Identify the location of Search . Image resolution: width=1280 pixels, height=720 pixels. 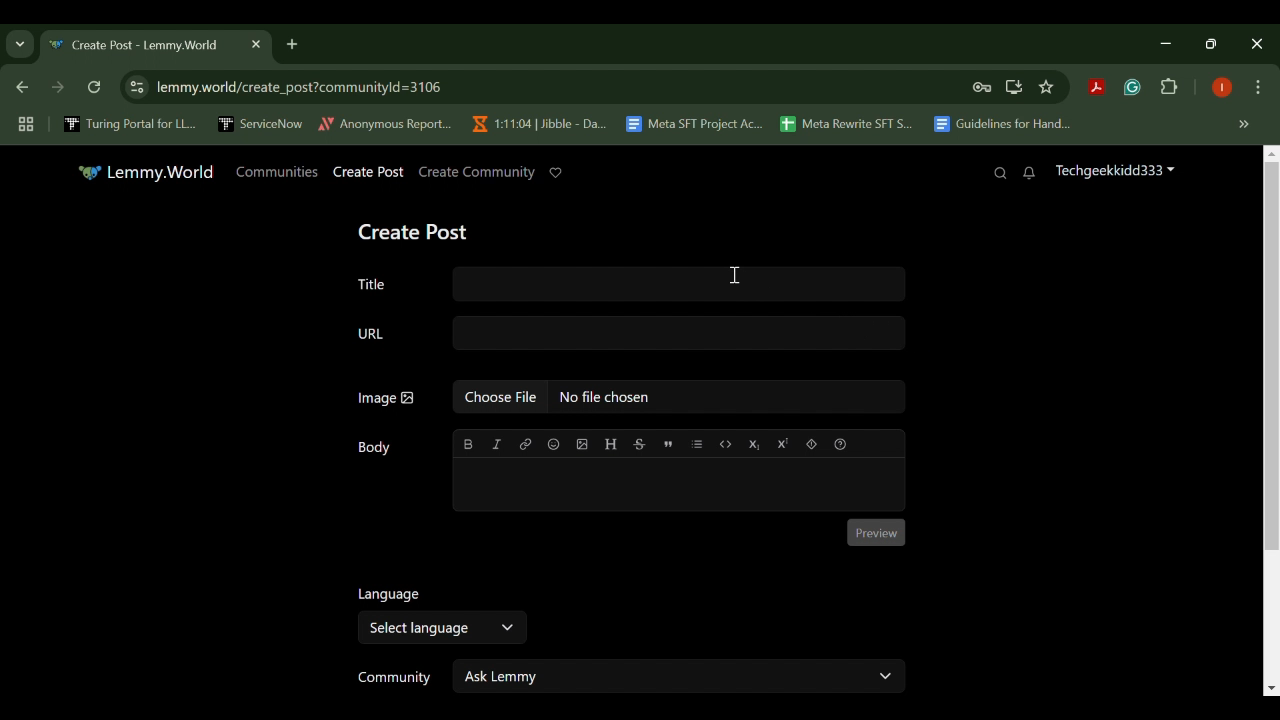
(1000, 173).